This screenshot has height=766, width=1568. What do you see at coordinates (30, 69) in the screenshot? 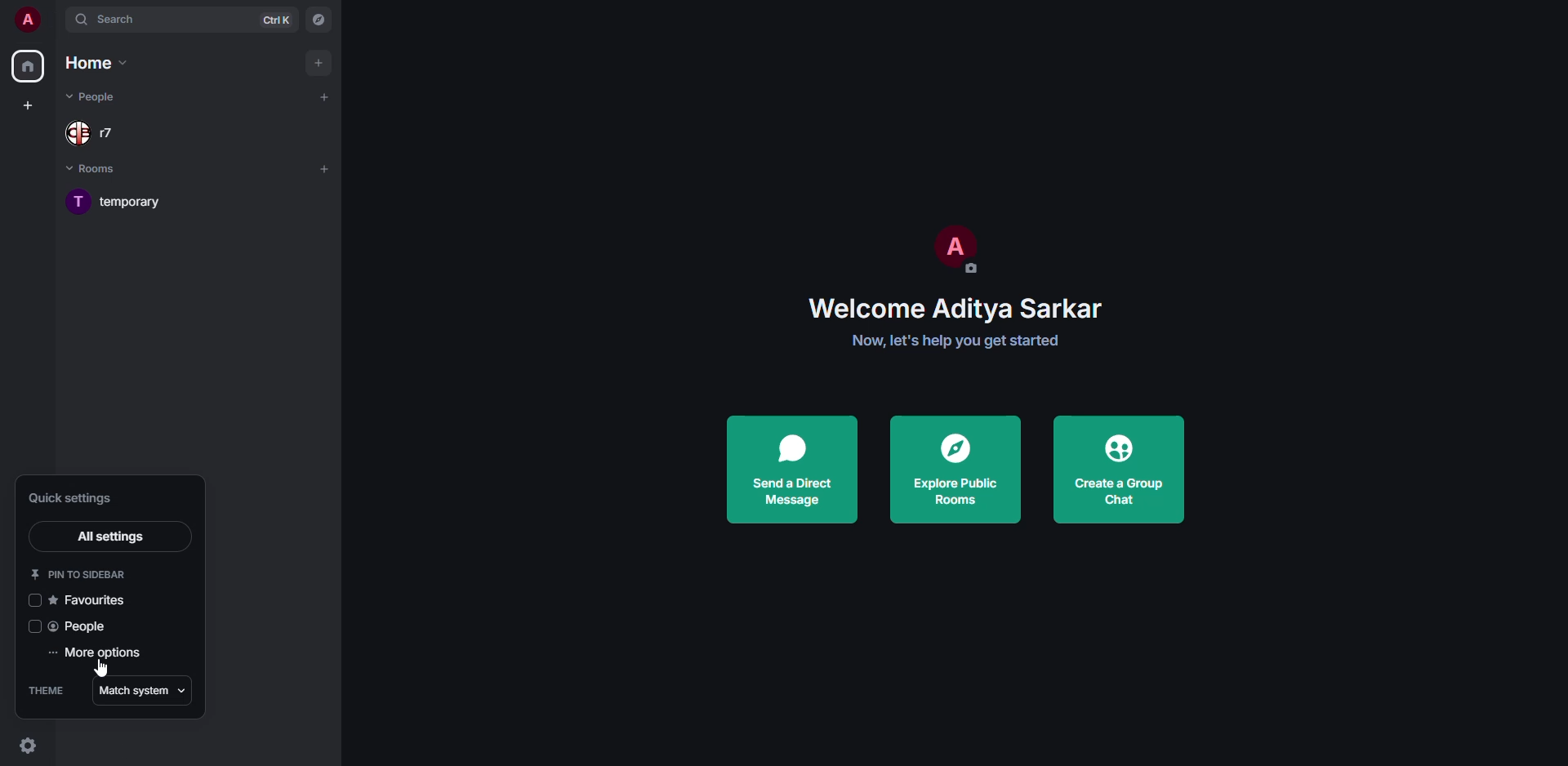
I see `home` at bounding box center [30, 69].